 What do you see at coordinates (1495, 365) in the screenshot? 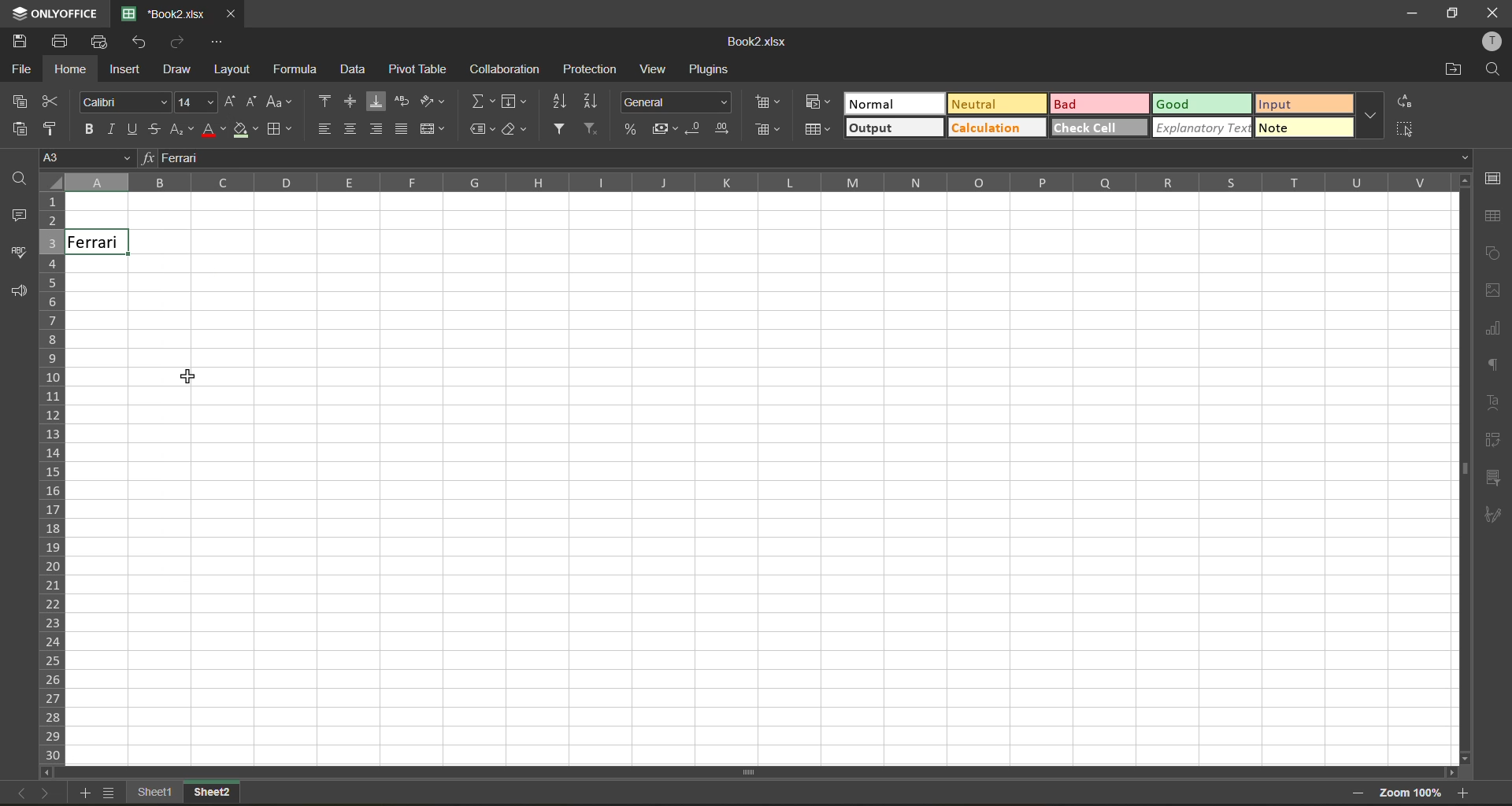
I see `paragraph` at bounding box center [1495, 365].